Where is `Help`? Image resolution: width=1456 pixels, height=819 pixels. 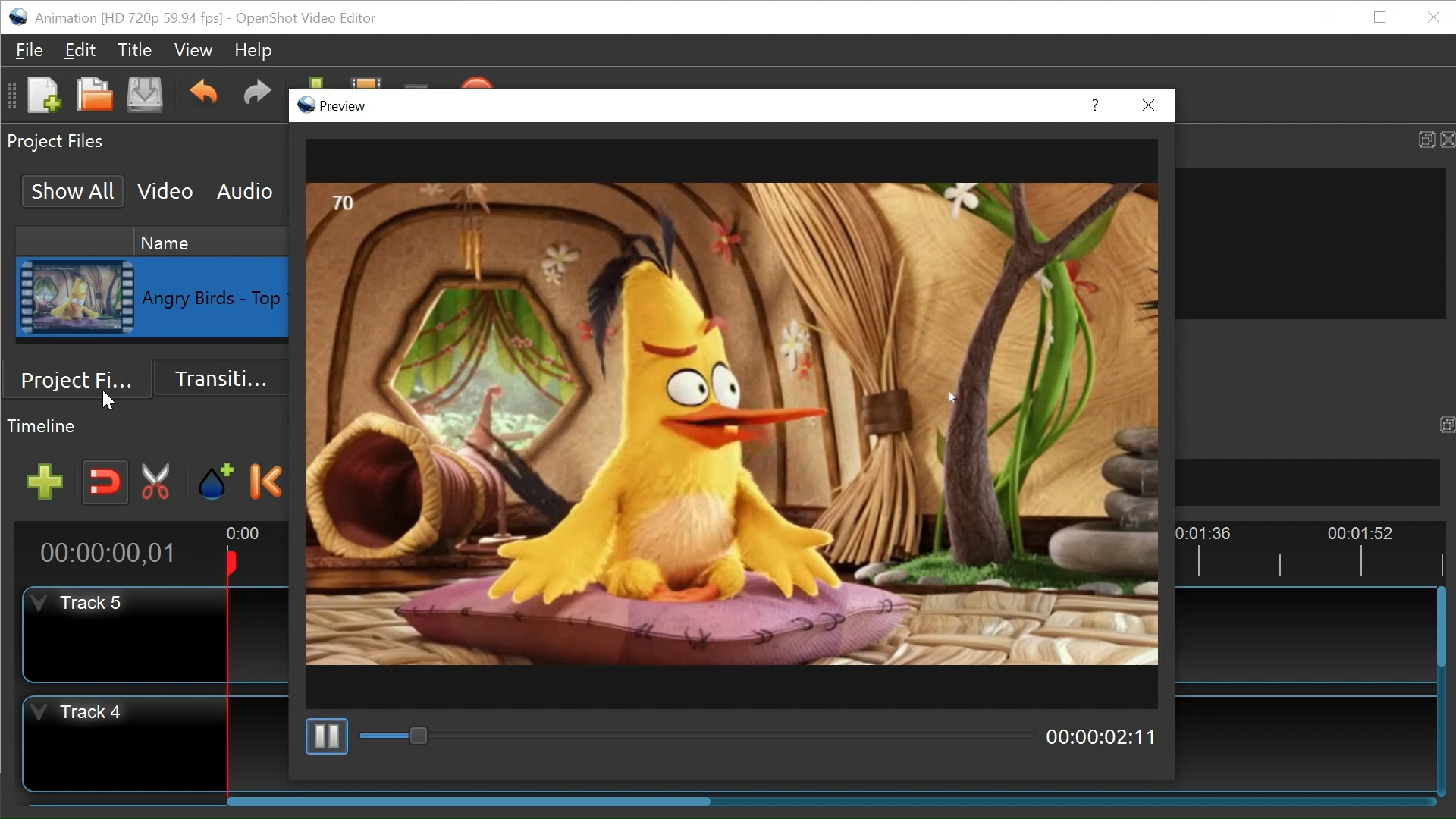
Help is located at coordinates (1099, 105).